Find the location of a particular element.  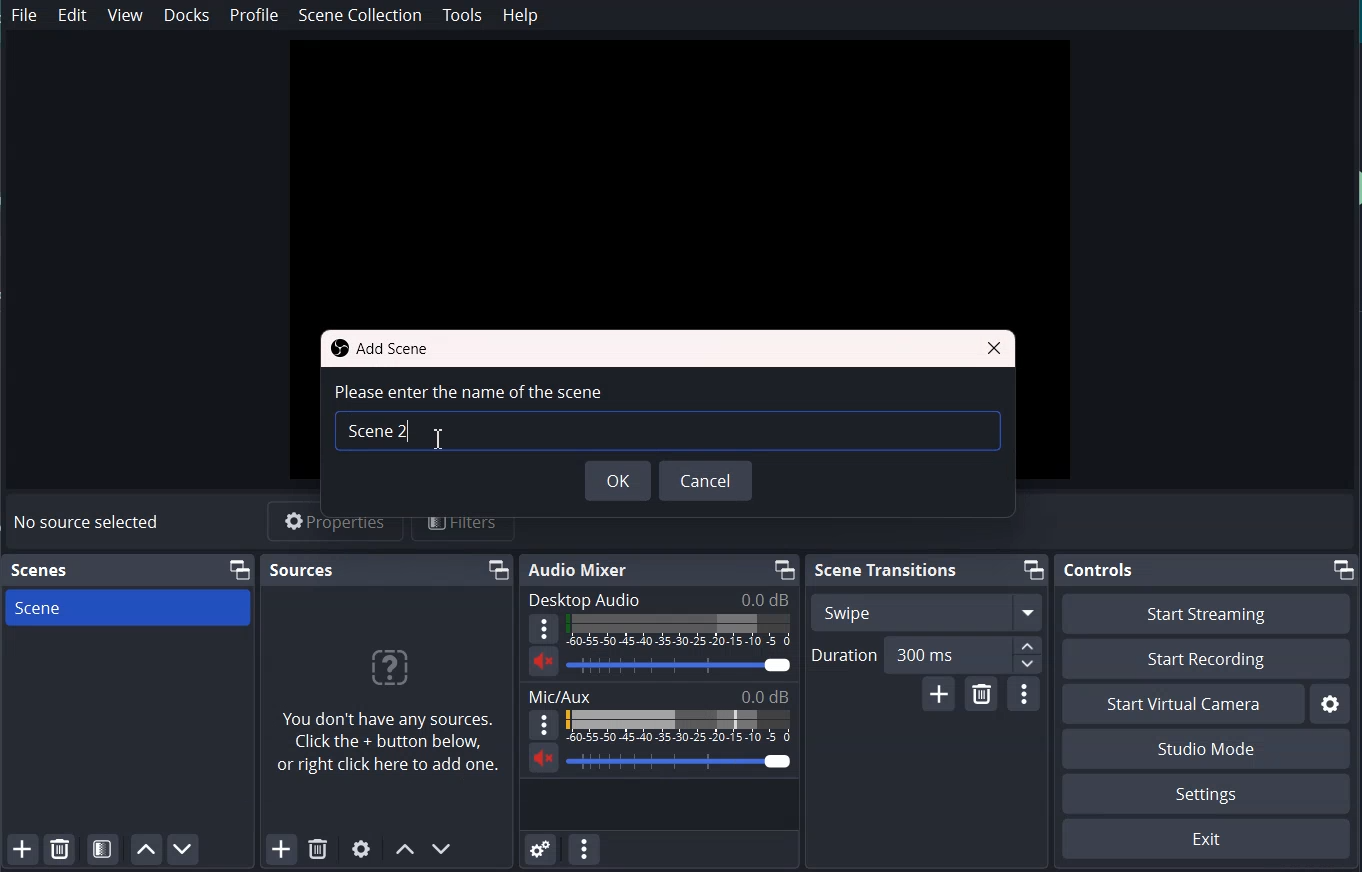

Scene collection is located at coordinates (360, 15).